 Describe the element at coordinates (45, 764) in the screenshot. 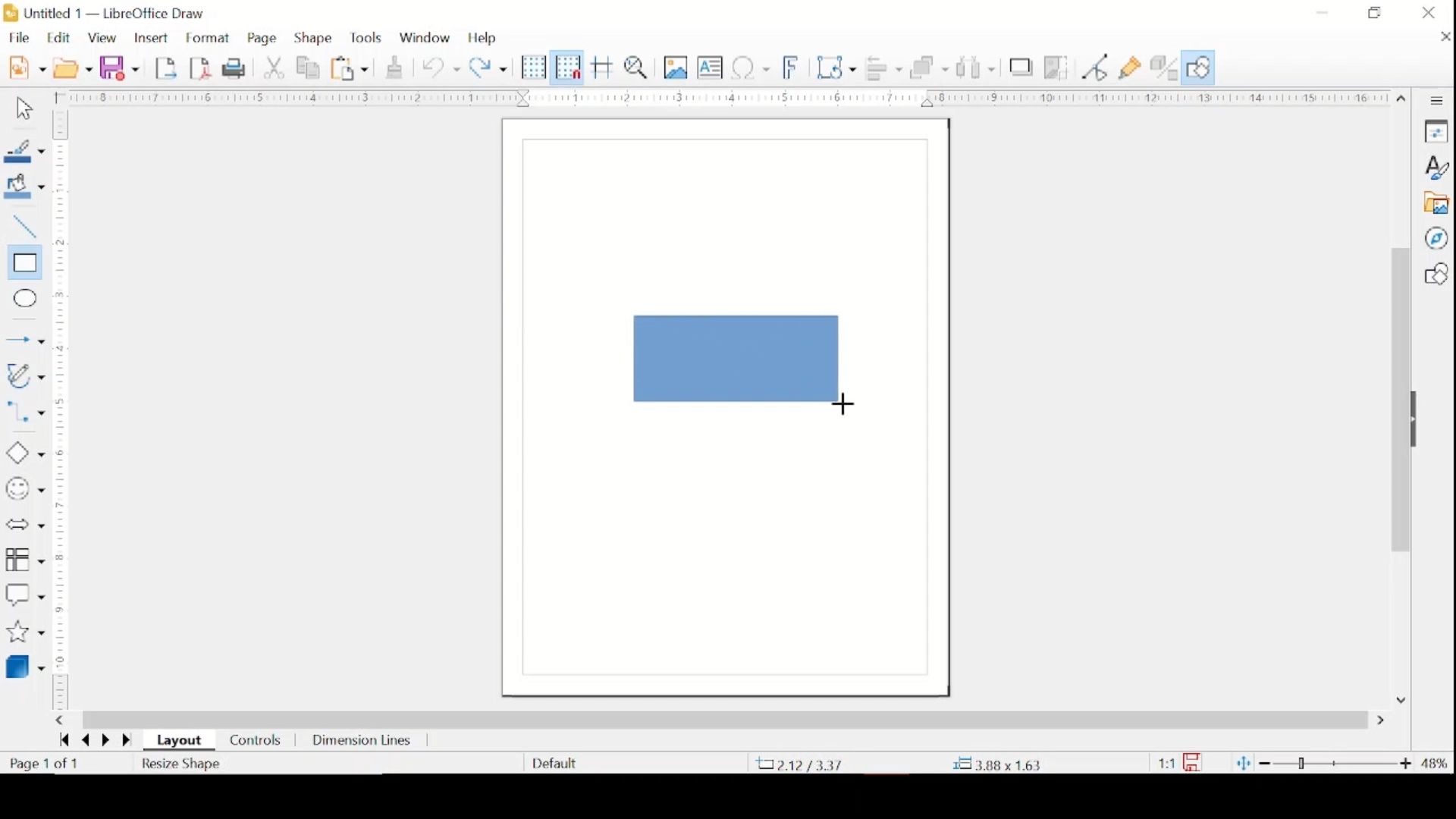

I see `page 1 of 1` at that location.